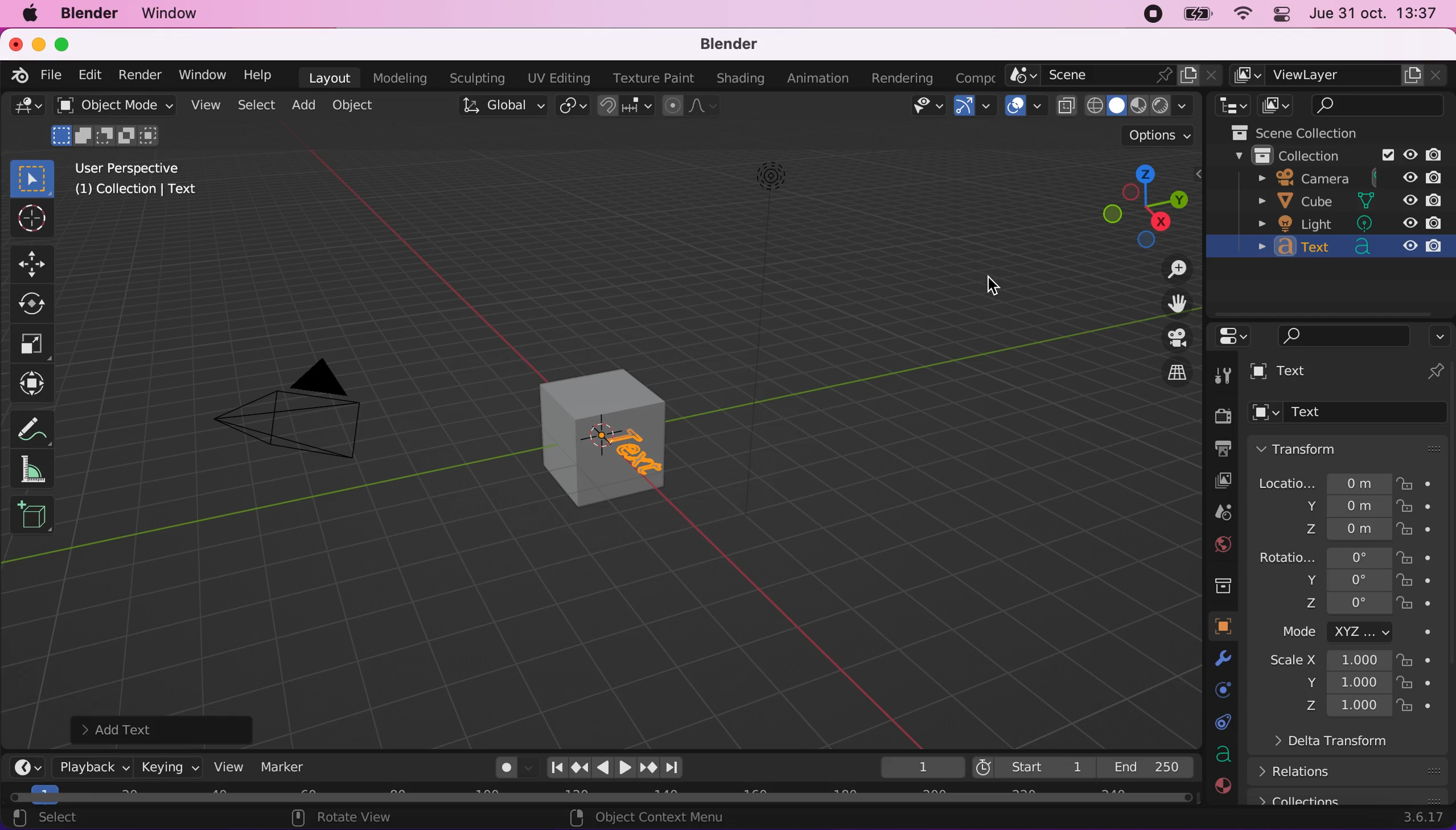 This screenshot has width=1456, height=830. What do you see at coordinates (1440, 335) in the screenshot?
I see `options` at bounding box center [1440, 335].